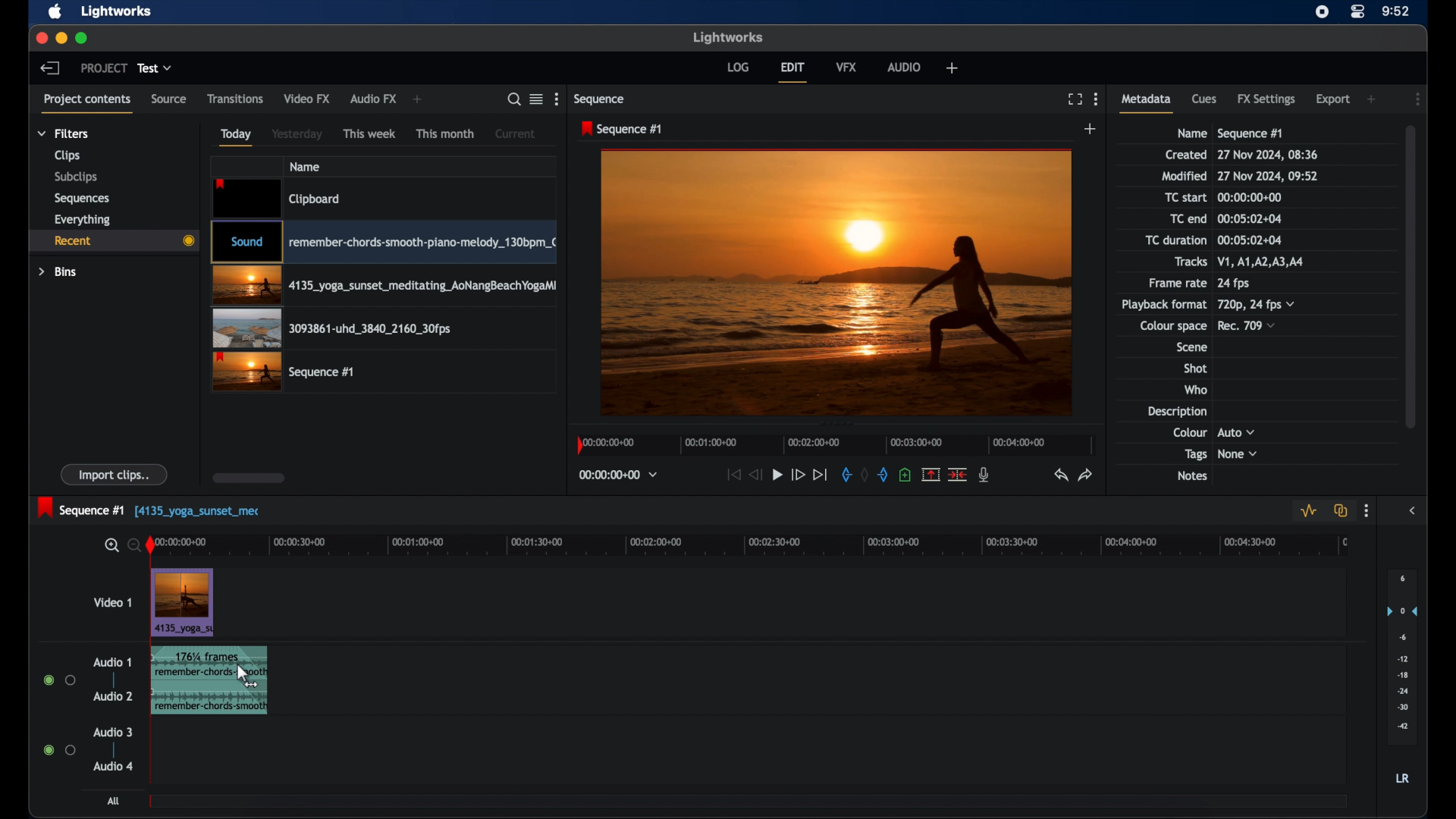 Image resolution: width=1456 pixels, height=819 pixels. Describe the element at coordinates (249, 478) in the screenshot. I see `scroll box` at that location.